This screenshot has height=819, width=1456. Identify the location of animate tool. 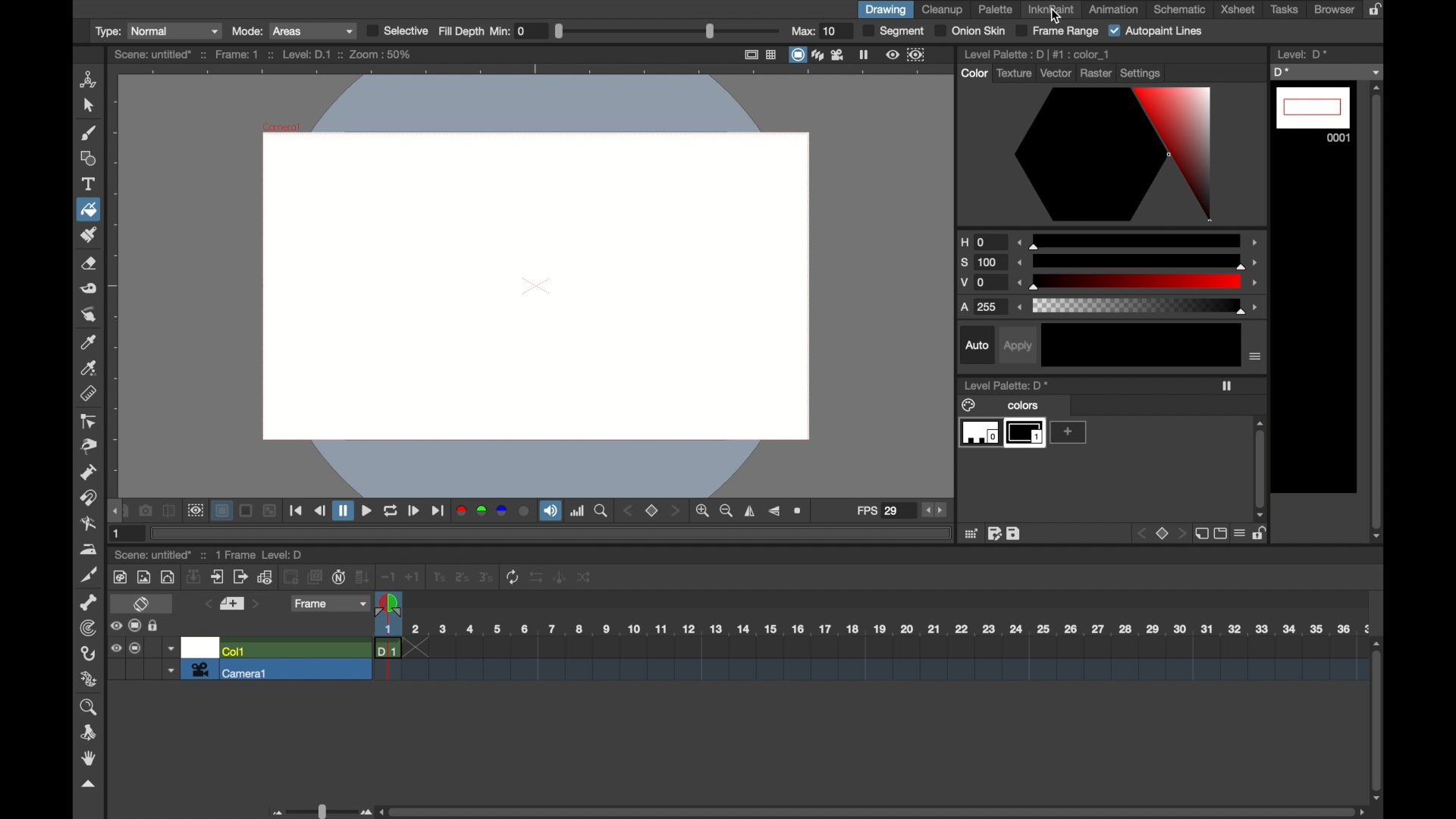
(89, 80).